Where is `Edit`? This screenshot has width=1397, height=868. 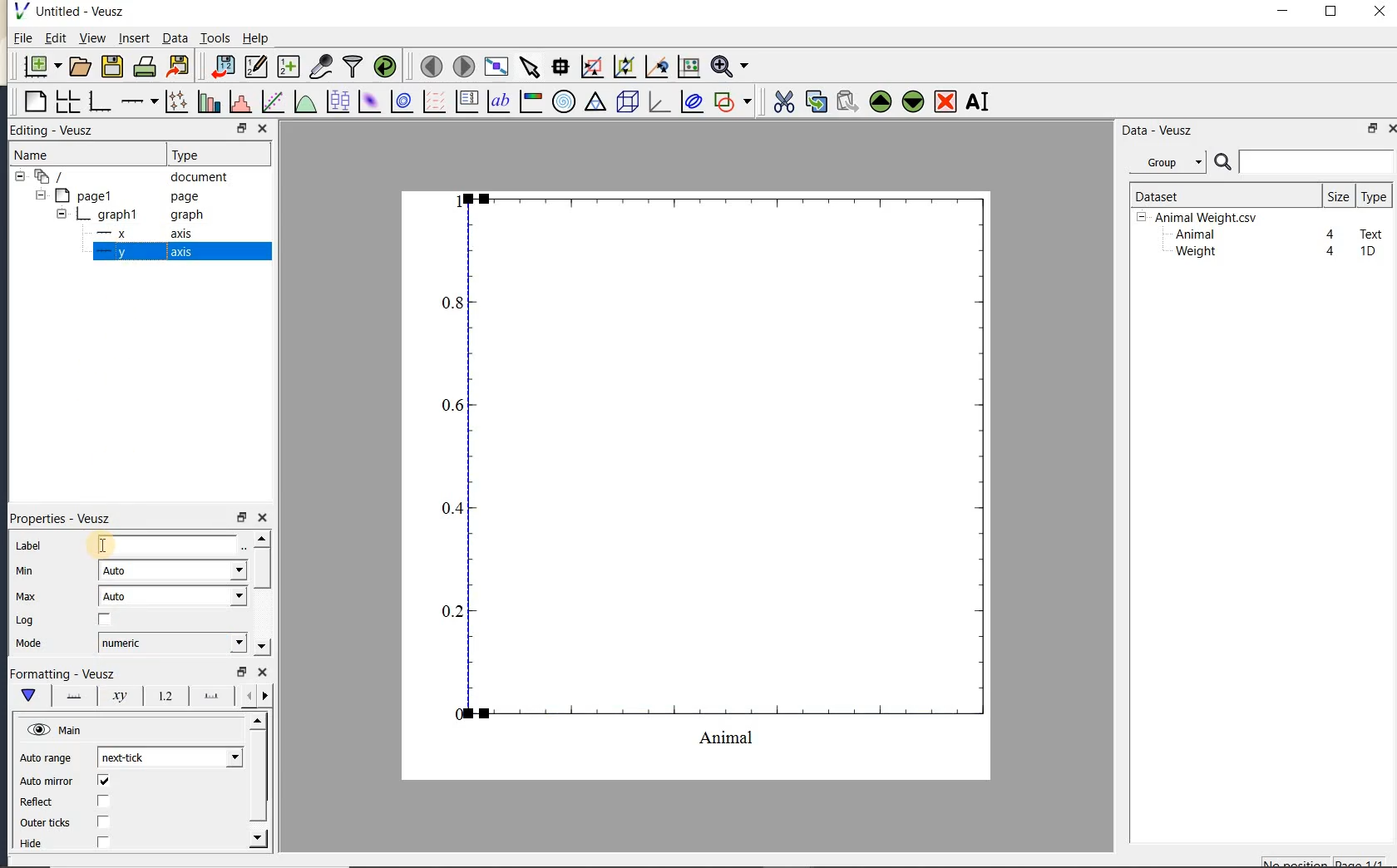
Edit is located at coordinates (52, 40).